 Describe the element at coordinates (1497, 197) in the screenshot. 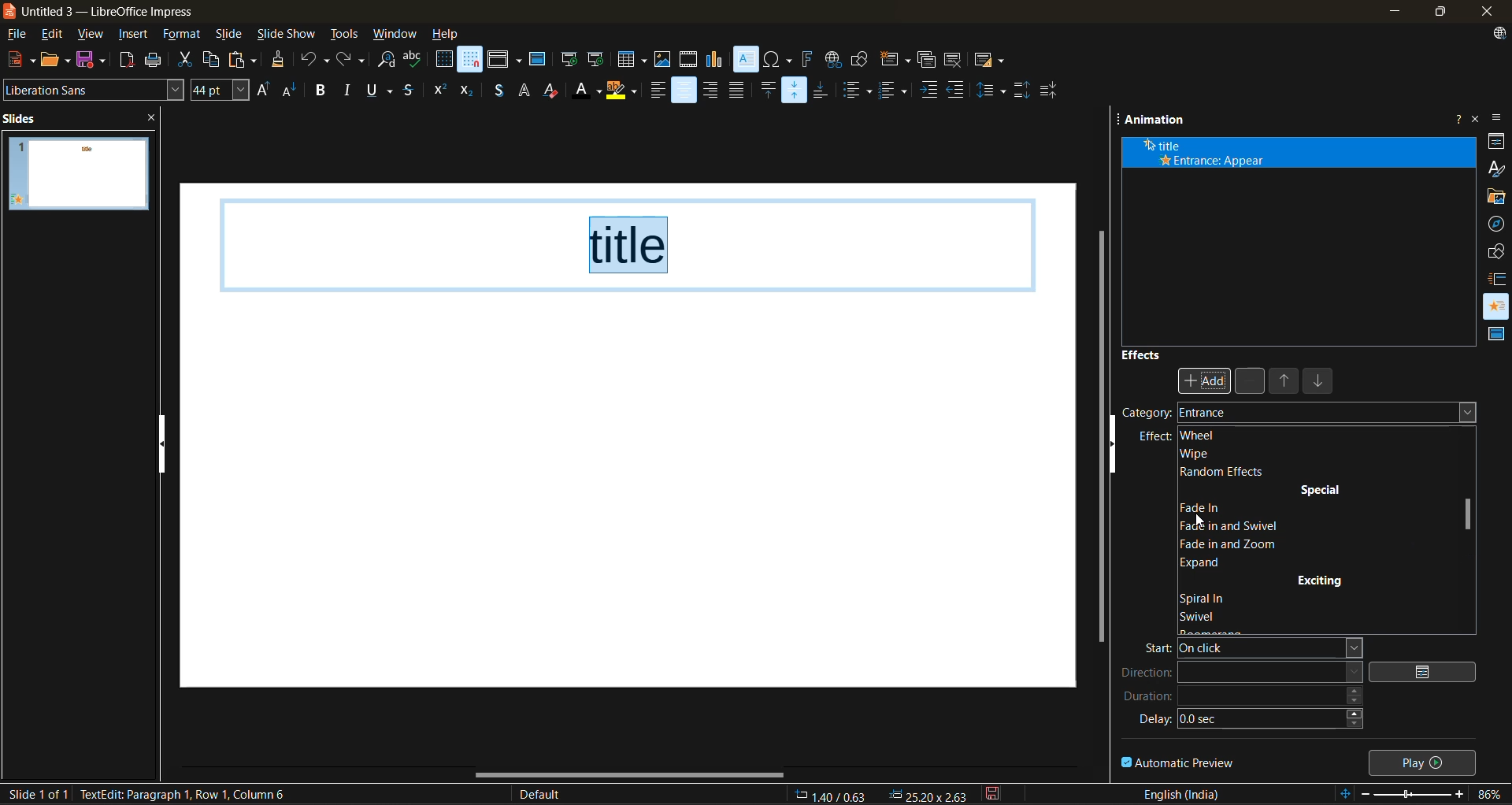

I see `gallery` at that location.